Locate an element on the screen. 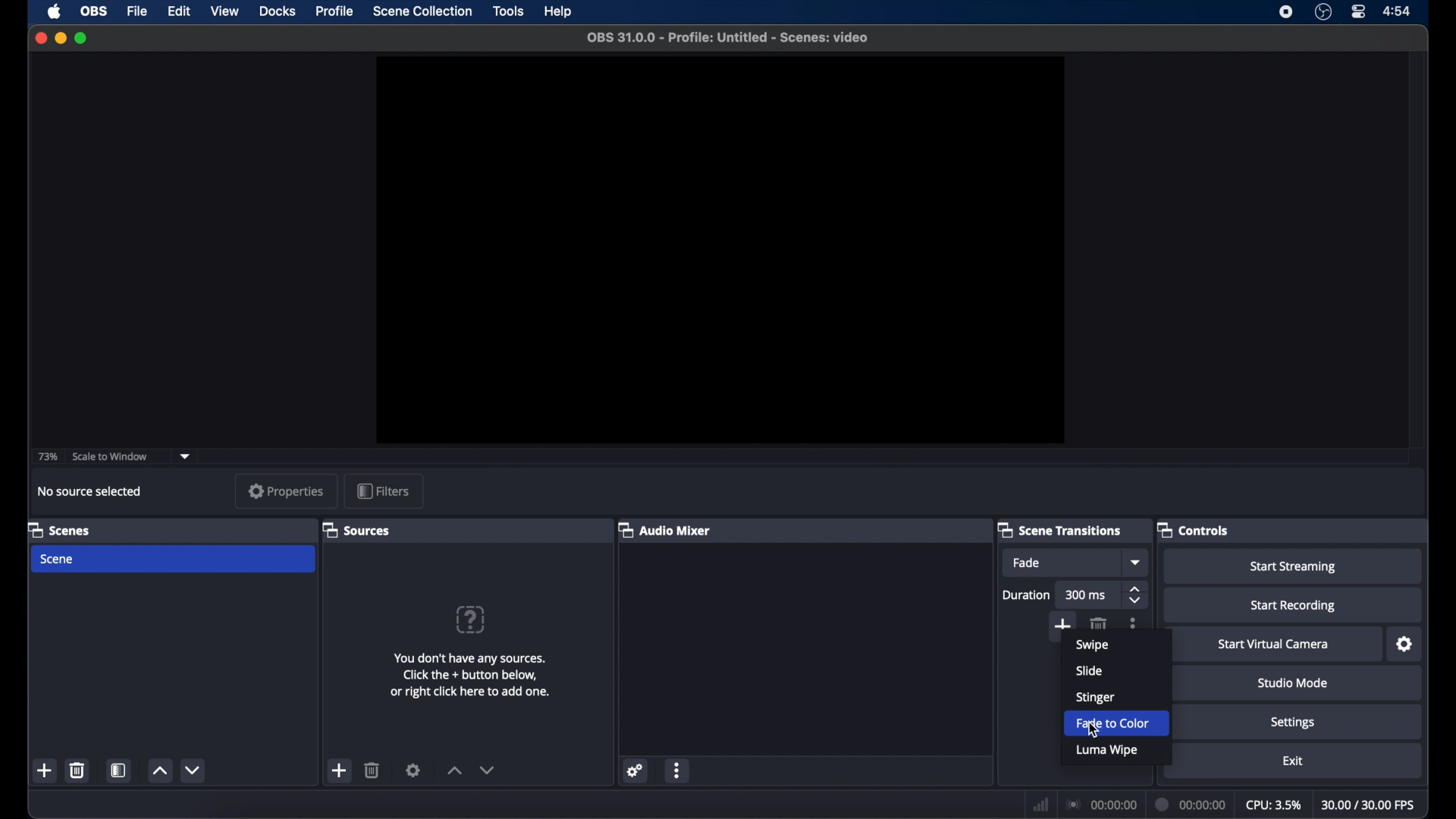 This screenshot has height=819, width=1456. duration is located at coordinates (1191, 804).